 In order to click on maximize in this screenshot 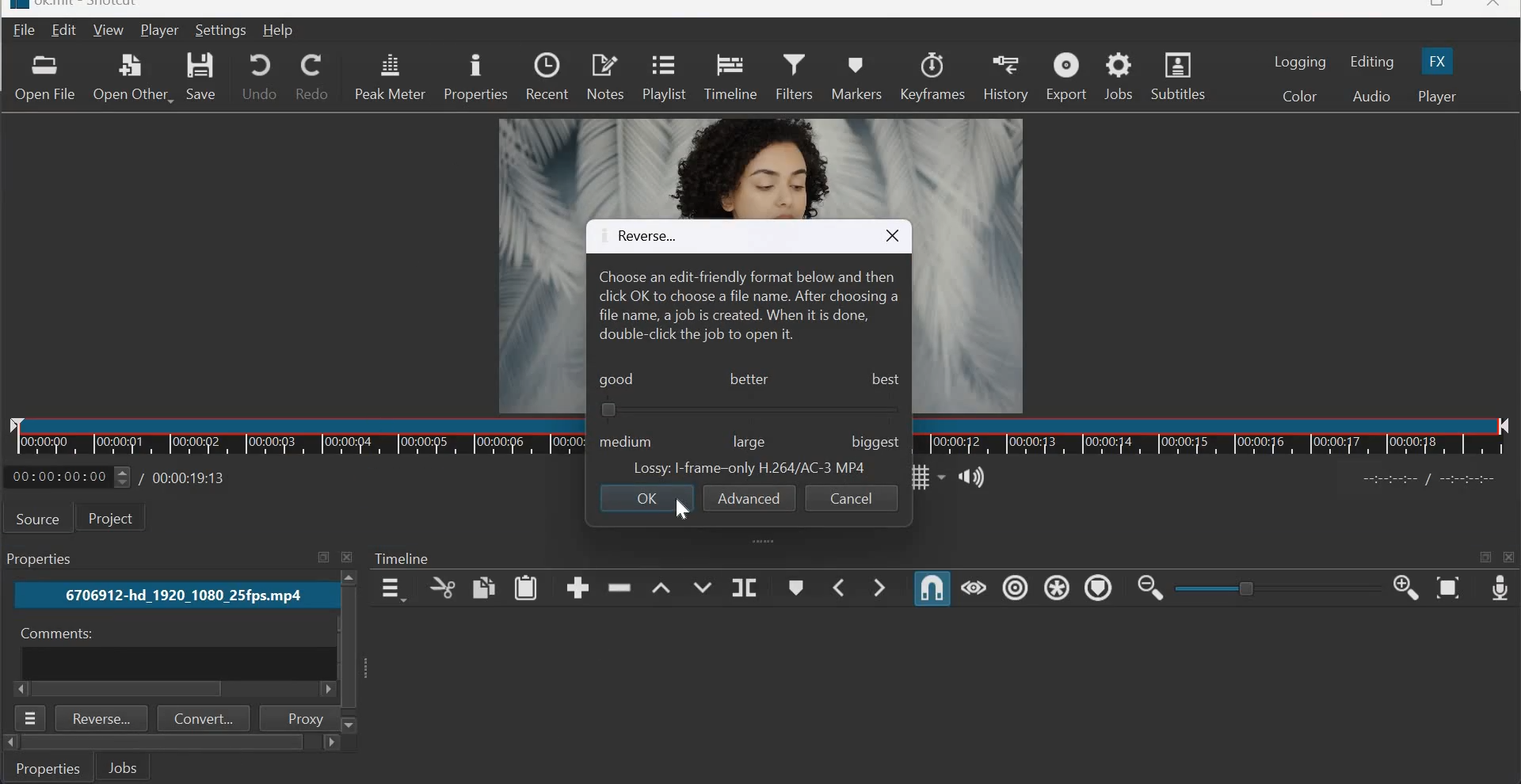, I will do `click(1485, 559)`.